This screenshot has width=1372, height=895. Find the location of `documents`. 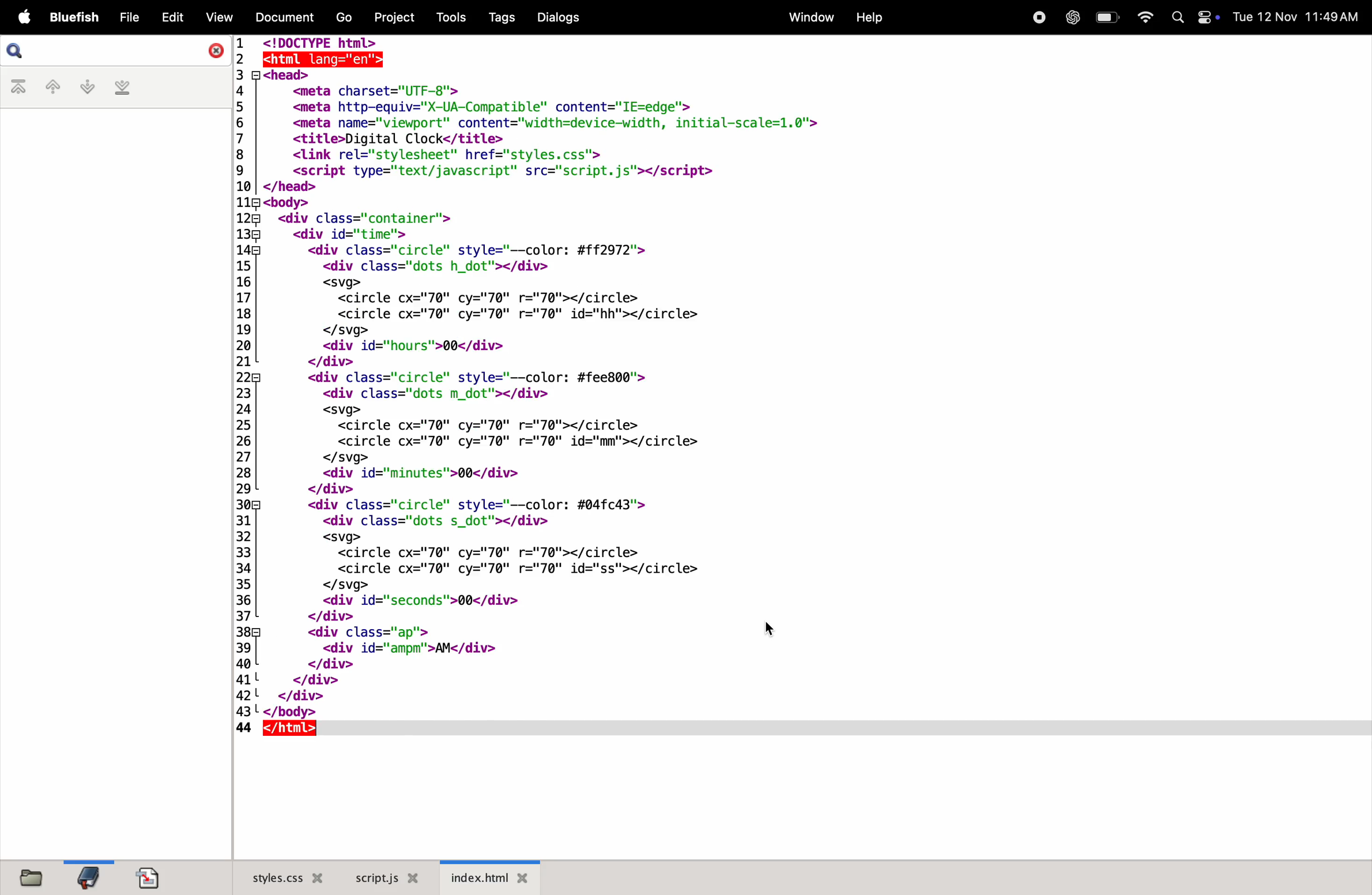

documents is located at coordinates (281, 17).